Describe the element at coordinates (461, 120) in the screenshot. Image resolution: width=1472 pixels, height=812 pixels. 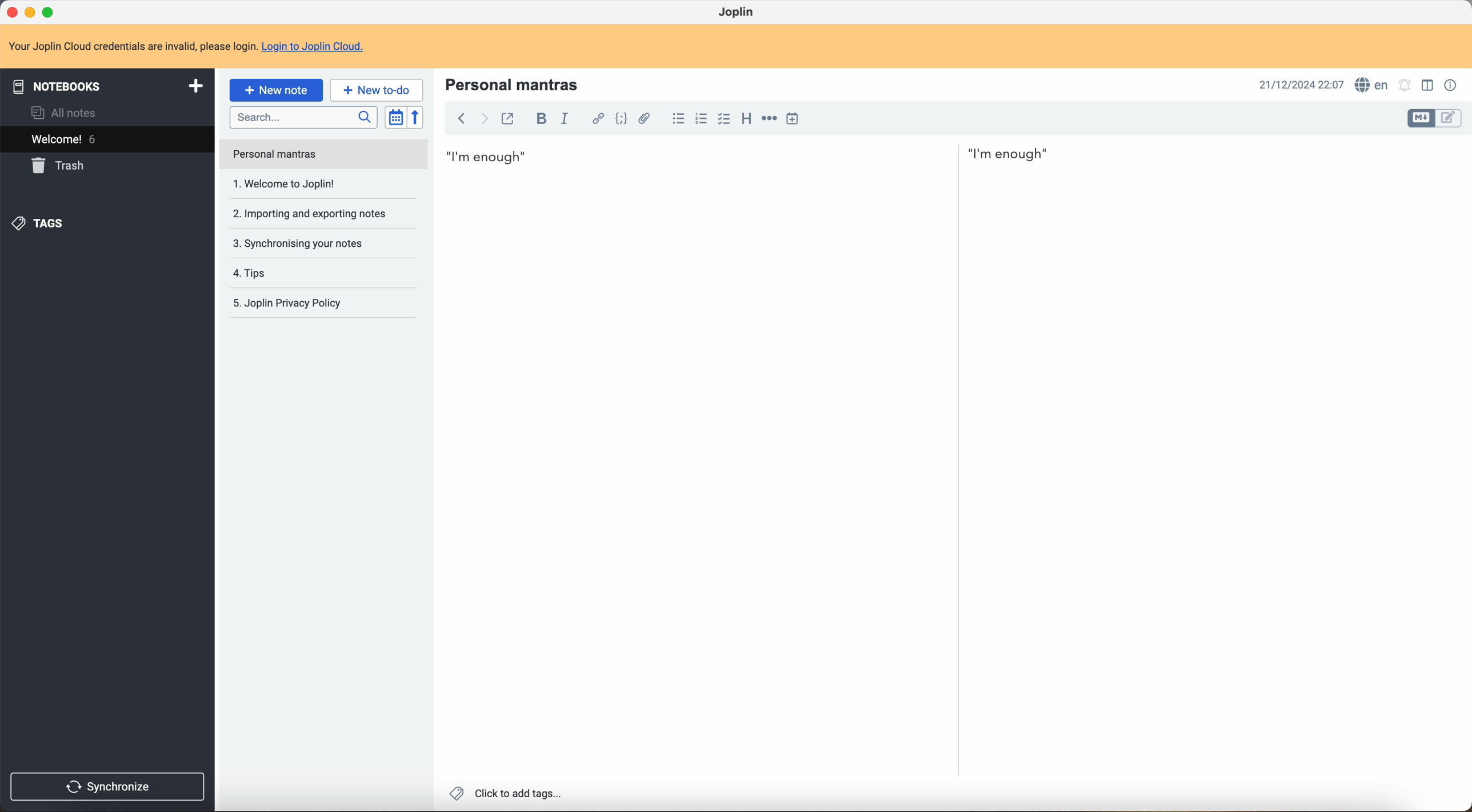
I see `back` at that location.